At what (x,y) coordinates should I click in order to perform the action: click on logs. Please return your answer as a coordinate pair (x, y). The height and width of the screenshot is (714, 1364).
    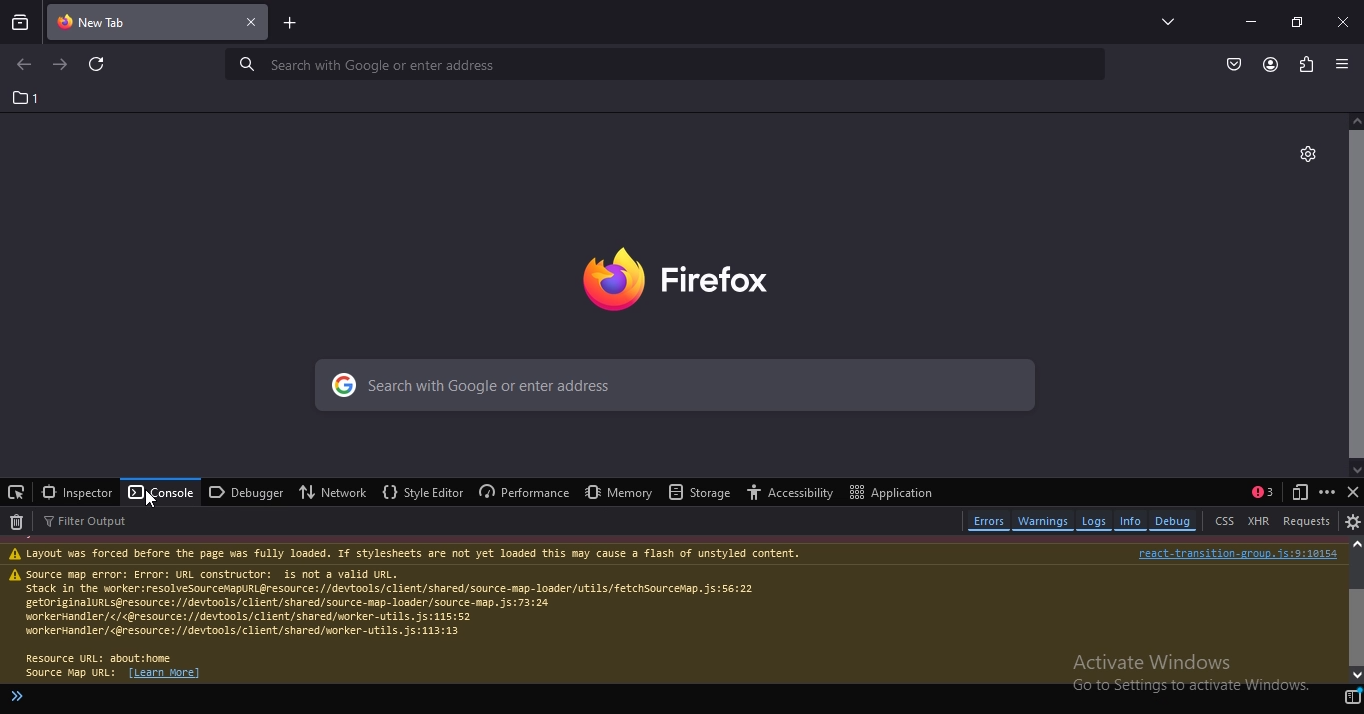
    Looking at the image, I should click on (1095, 521).